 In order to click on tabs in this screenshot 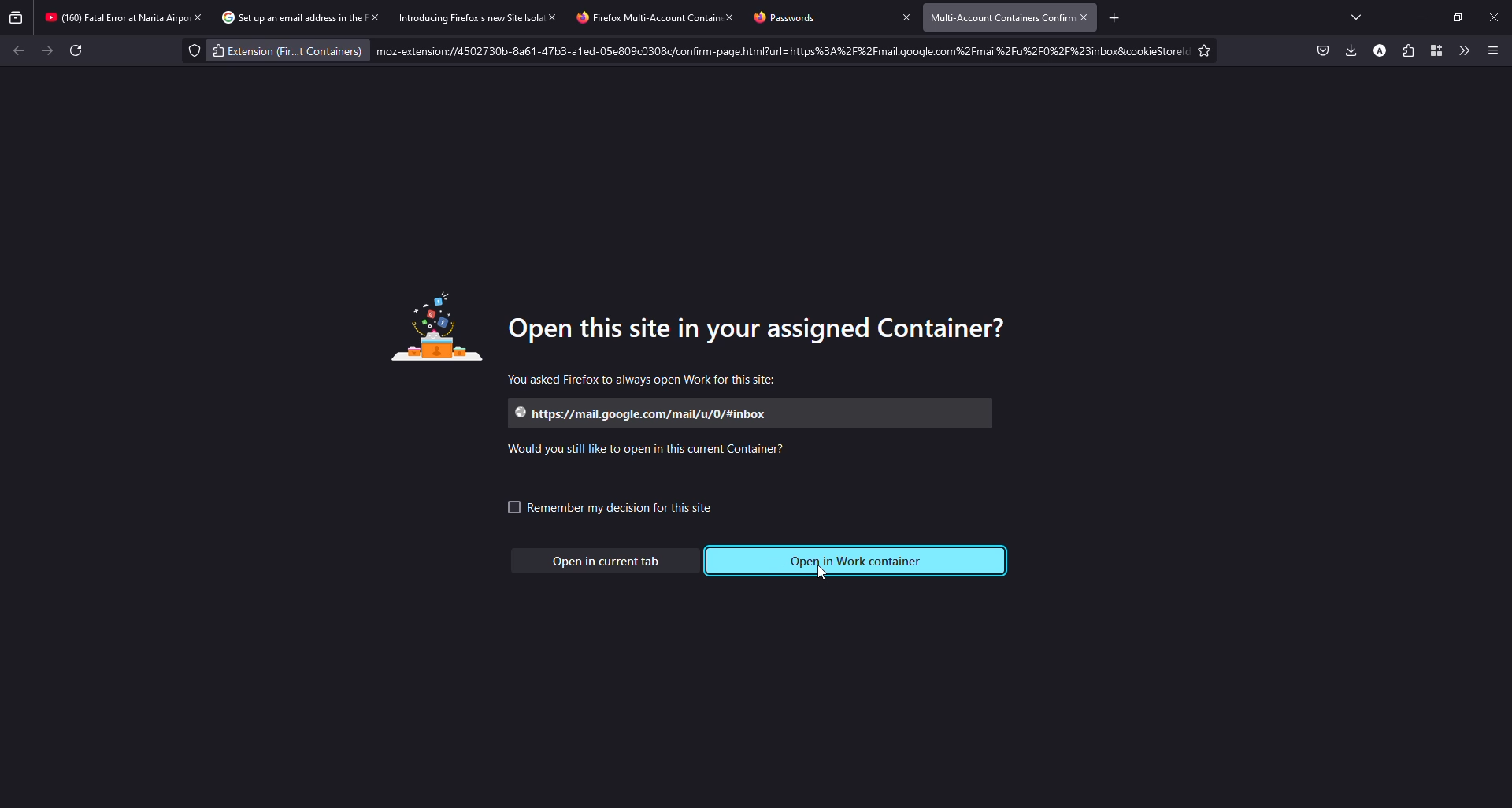, I will do `click(1356, 16)`.